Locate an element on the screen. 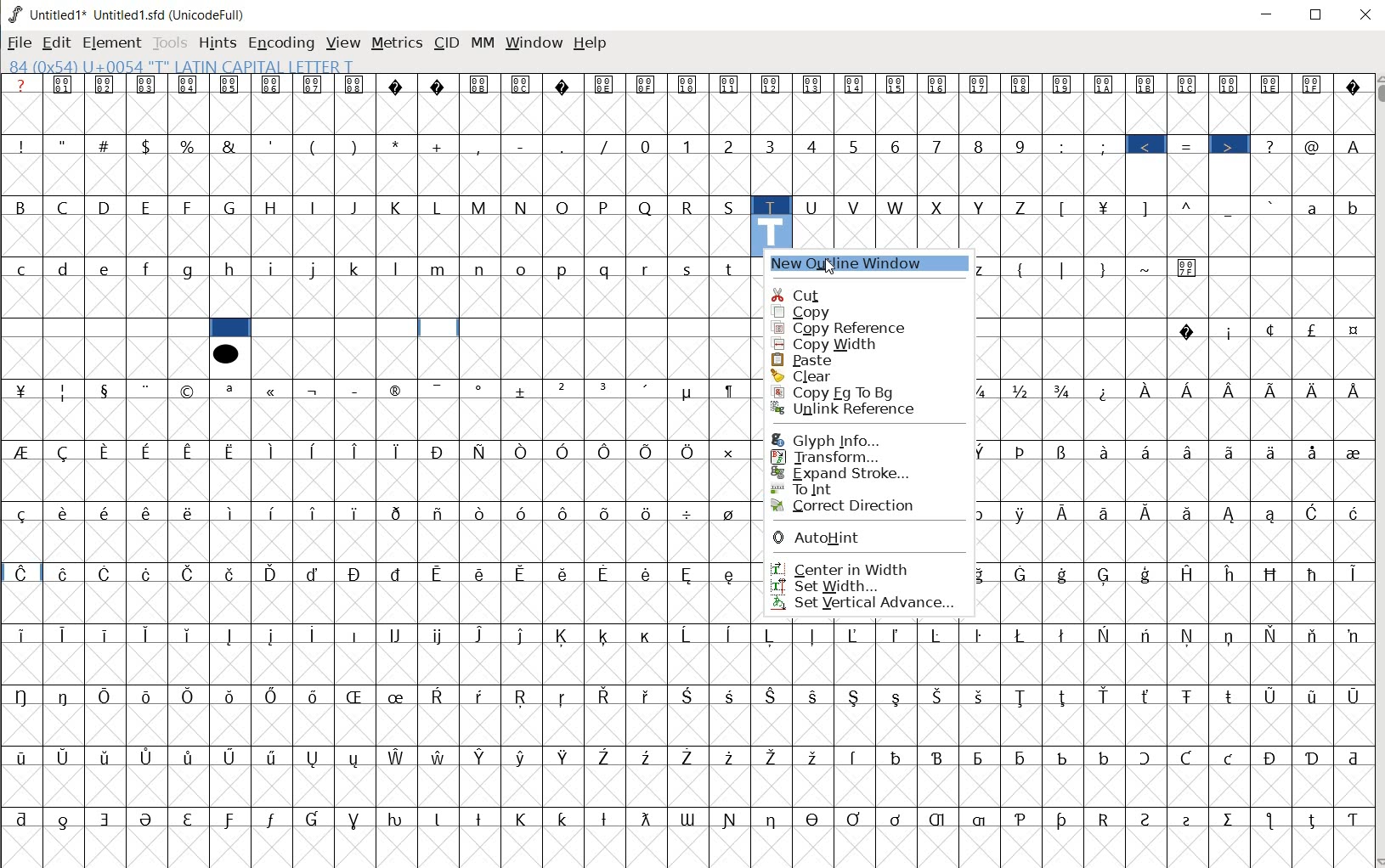 The height and width of the screenshot is (868, 1385). Symbol is located at coordinates (107, 86).